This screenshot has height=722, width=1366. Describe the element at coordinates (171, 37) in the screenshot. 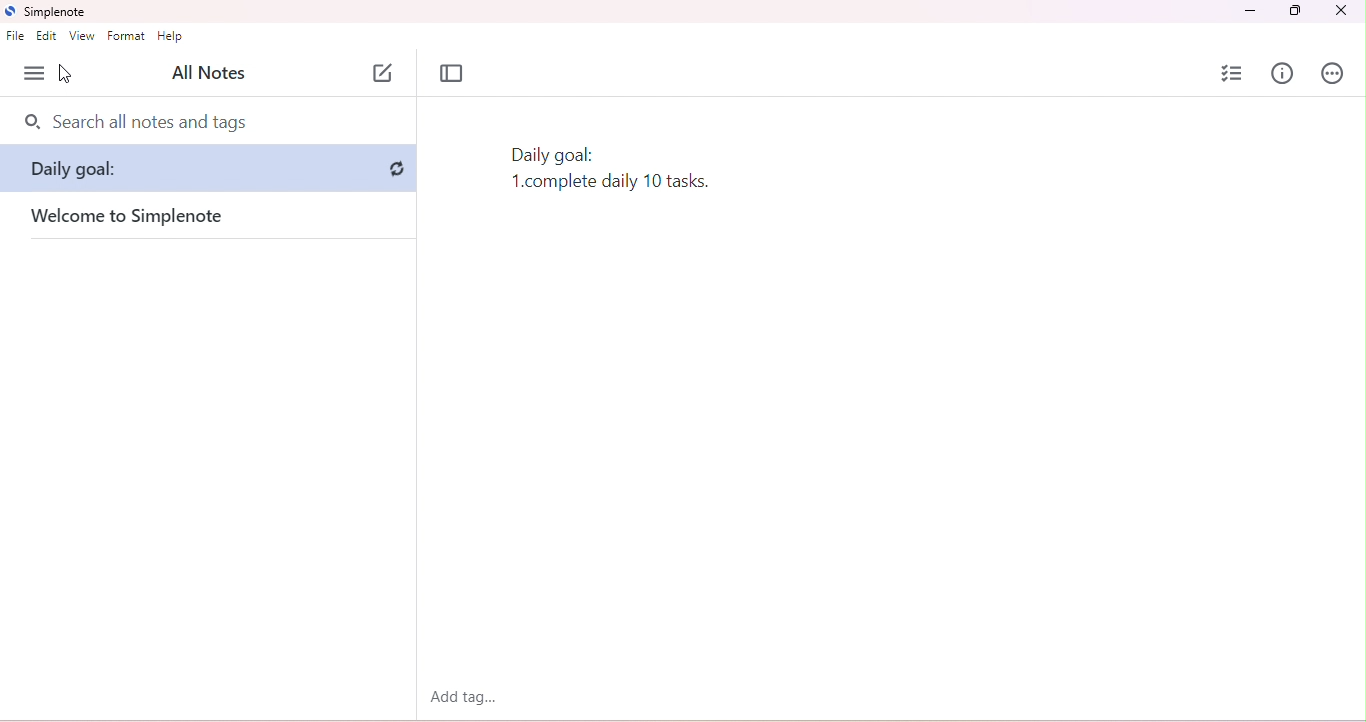

I see `help` at that location.